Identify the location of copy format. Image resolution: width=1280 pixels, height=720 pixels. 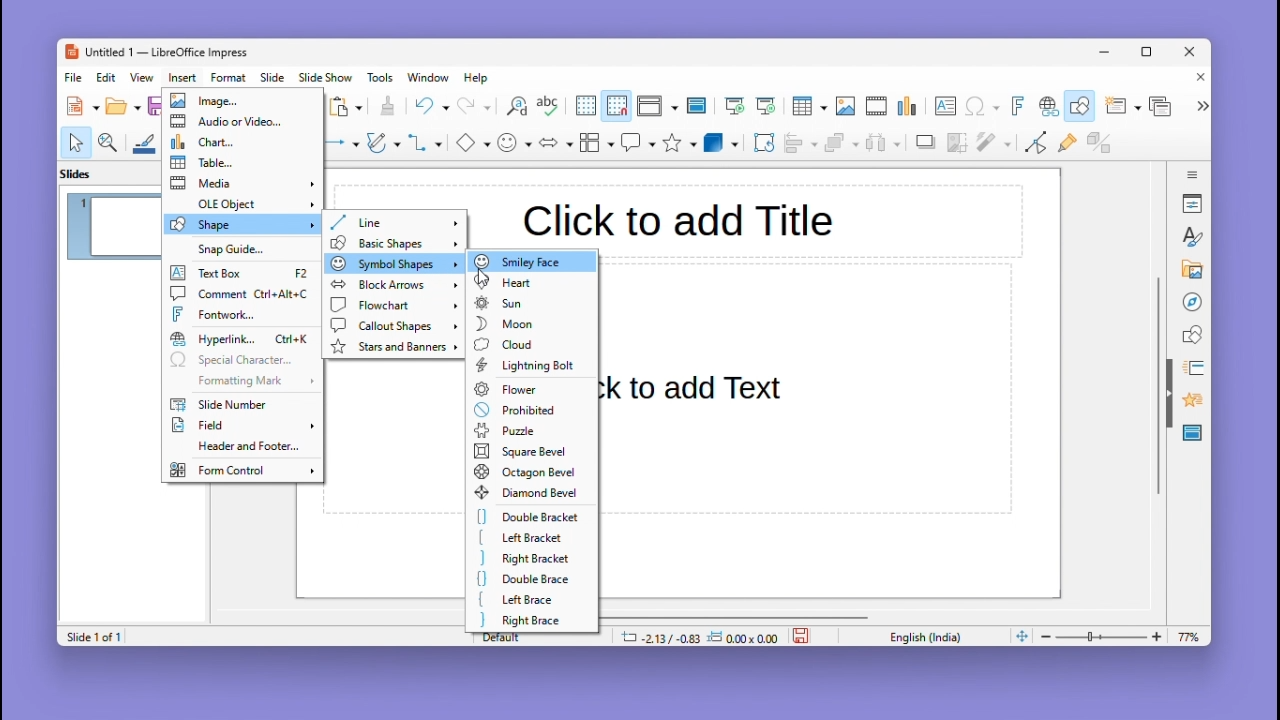
(386, 108).